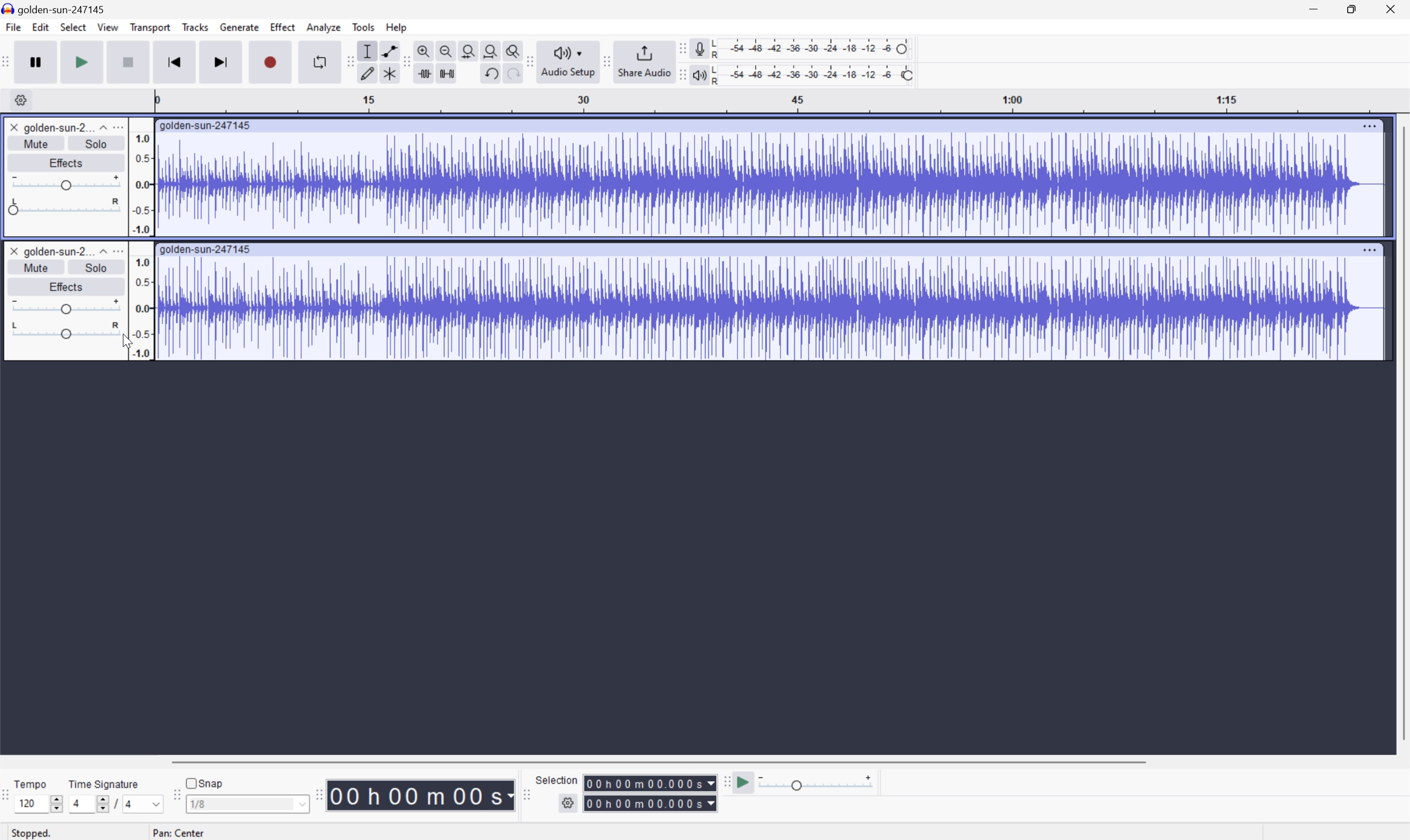 The image size is (1410, 840). What do you see at coordinates (128, 62) in the screenshot?
I see `Stop` at bounding box center [128, 62].